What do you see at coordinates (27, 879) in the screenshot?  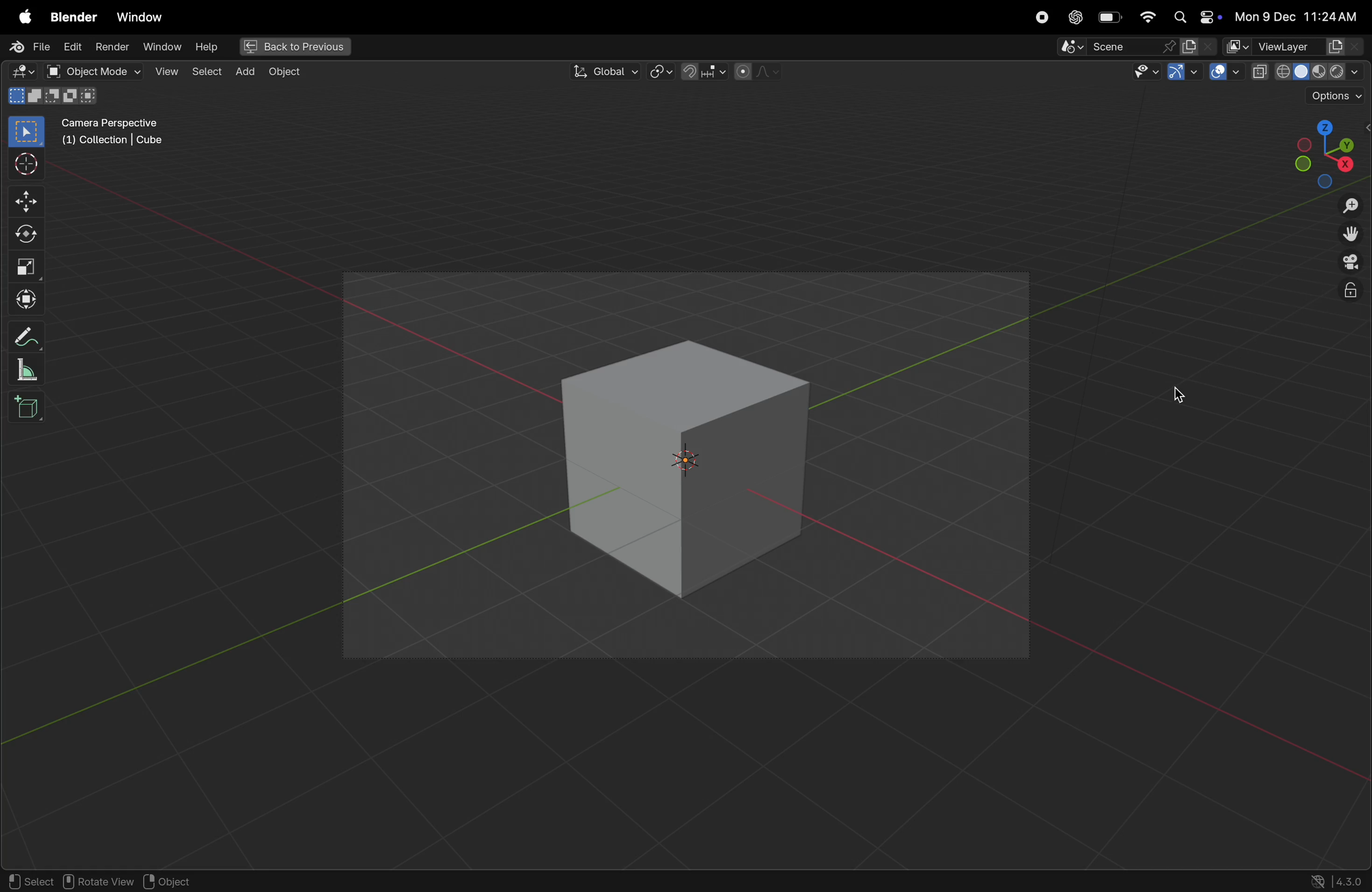 I see `select` at bounding box center [27, 879].